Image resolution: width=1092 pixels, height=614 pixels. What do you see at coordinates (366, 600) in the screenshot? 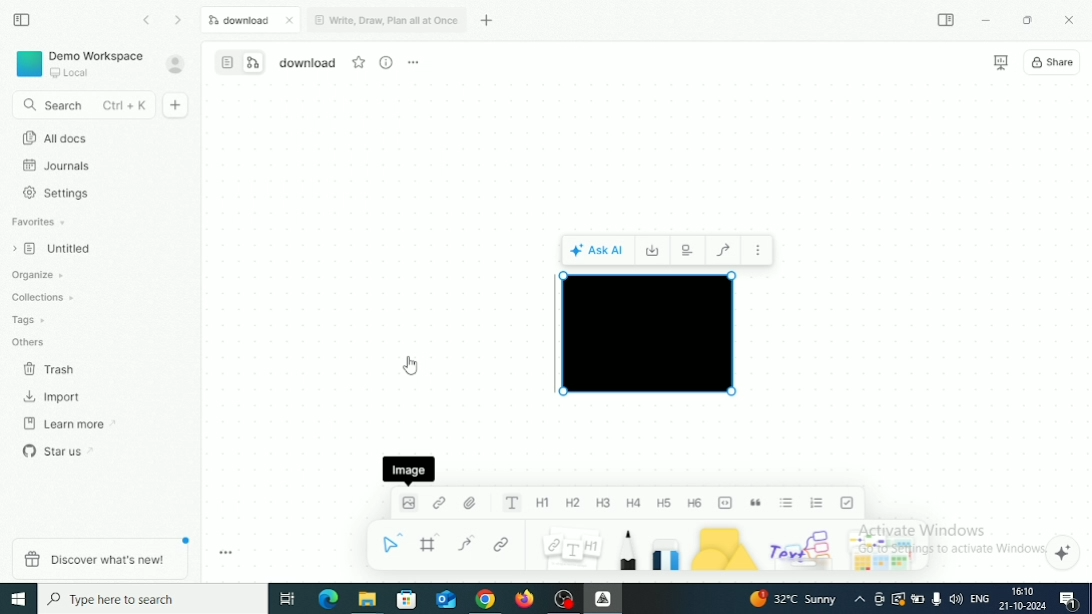
I see `File Explorer` at bounding box center [366, 600].